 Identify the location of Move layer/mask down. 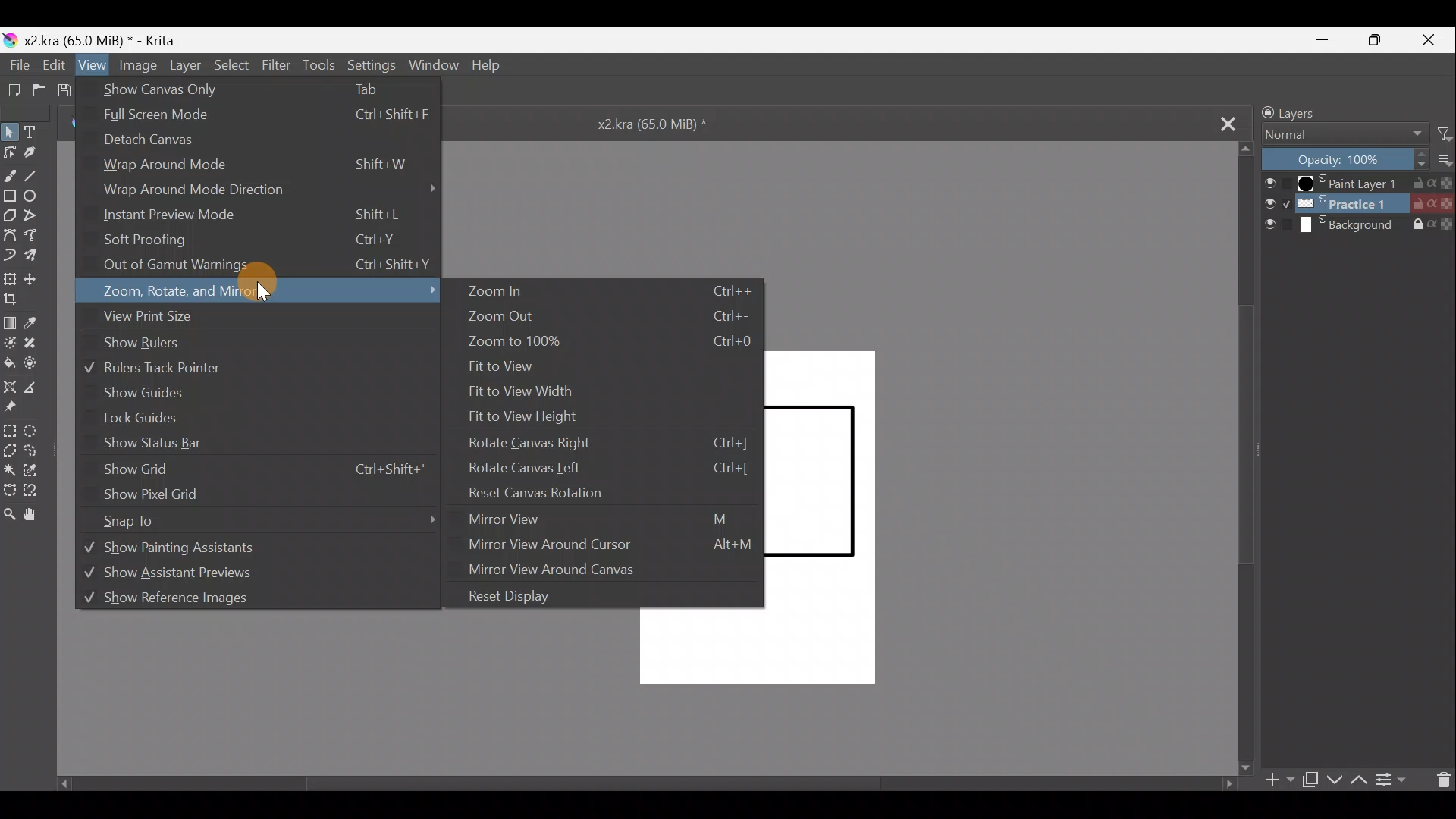
(1335, 780).